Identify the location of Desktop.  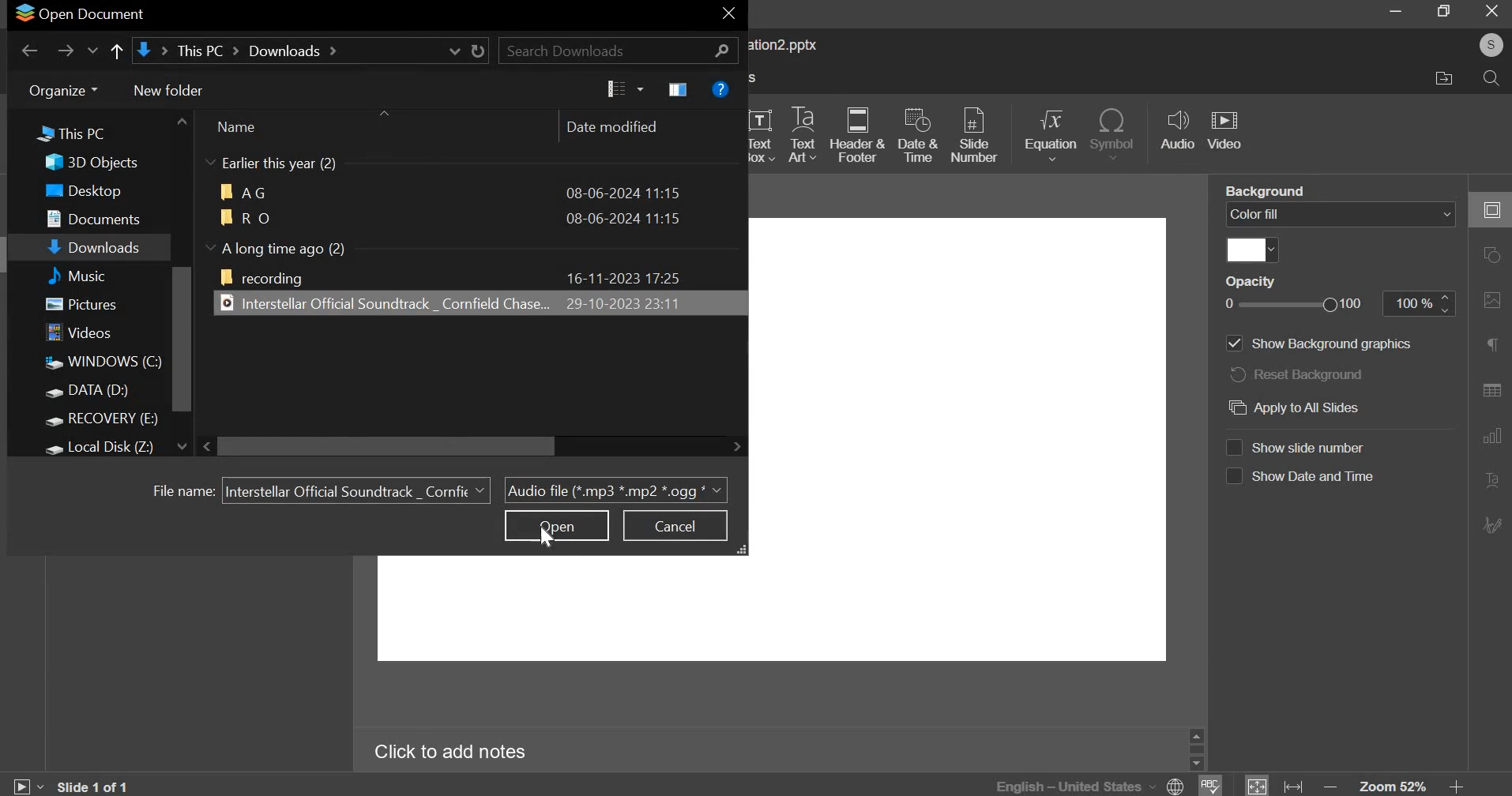
(80, 190).